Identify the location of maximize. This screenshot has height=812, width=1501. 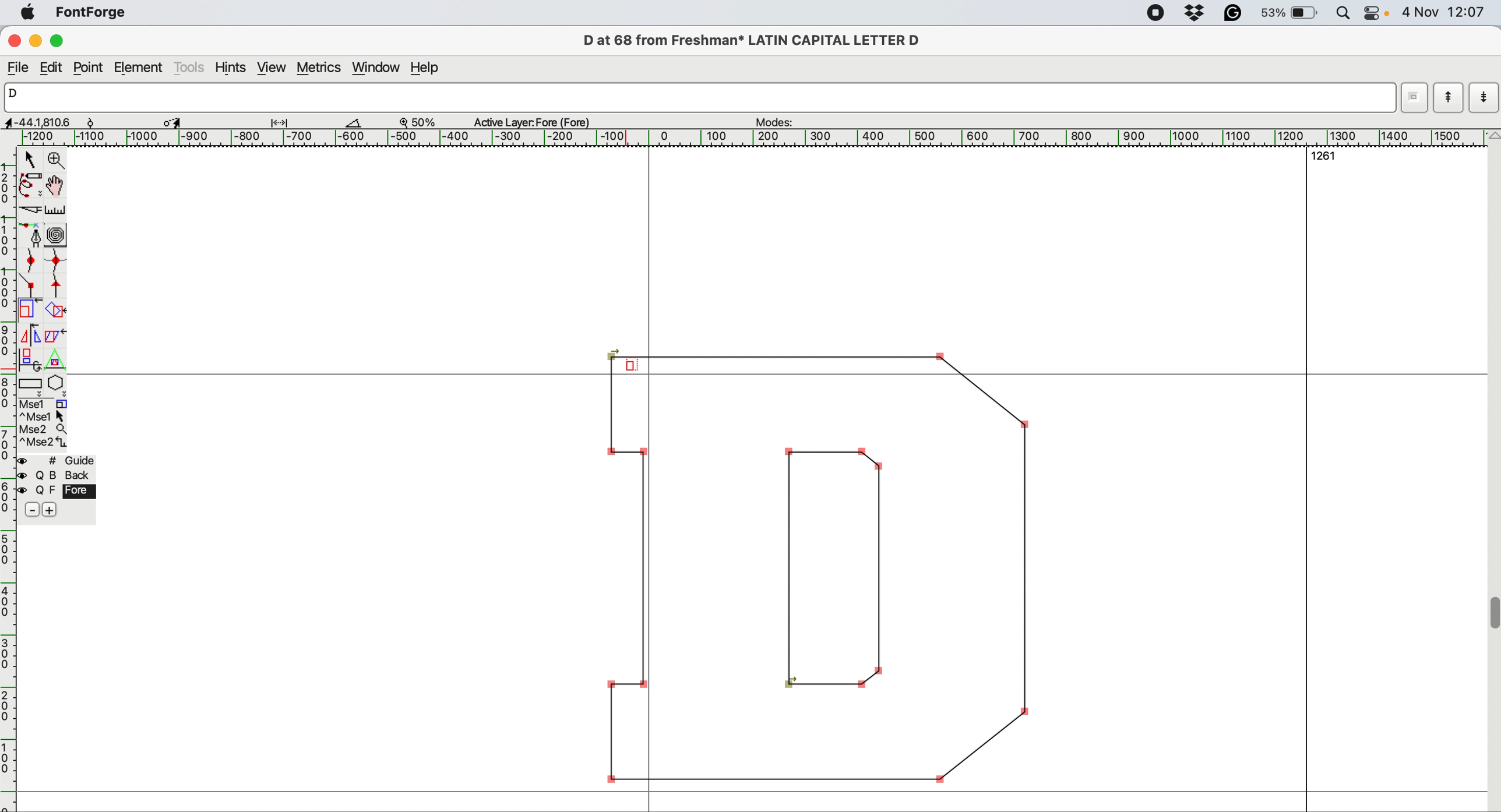
(61, 41).